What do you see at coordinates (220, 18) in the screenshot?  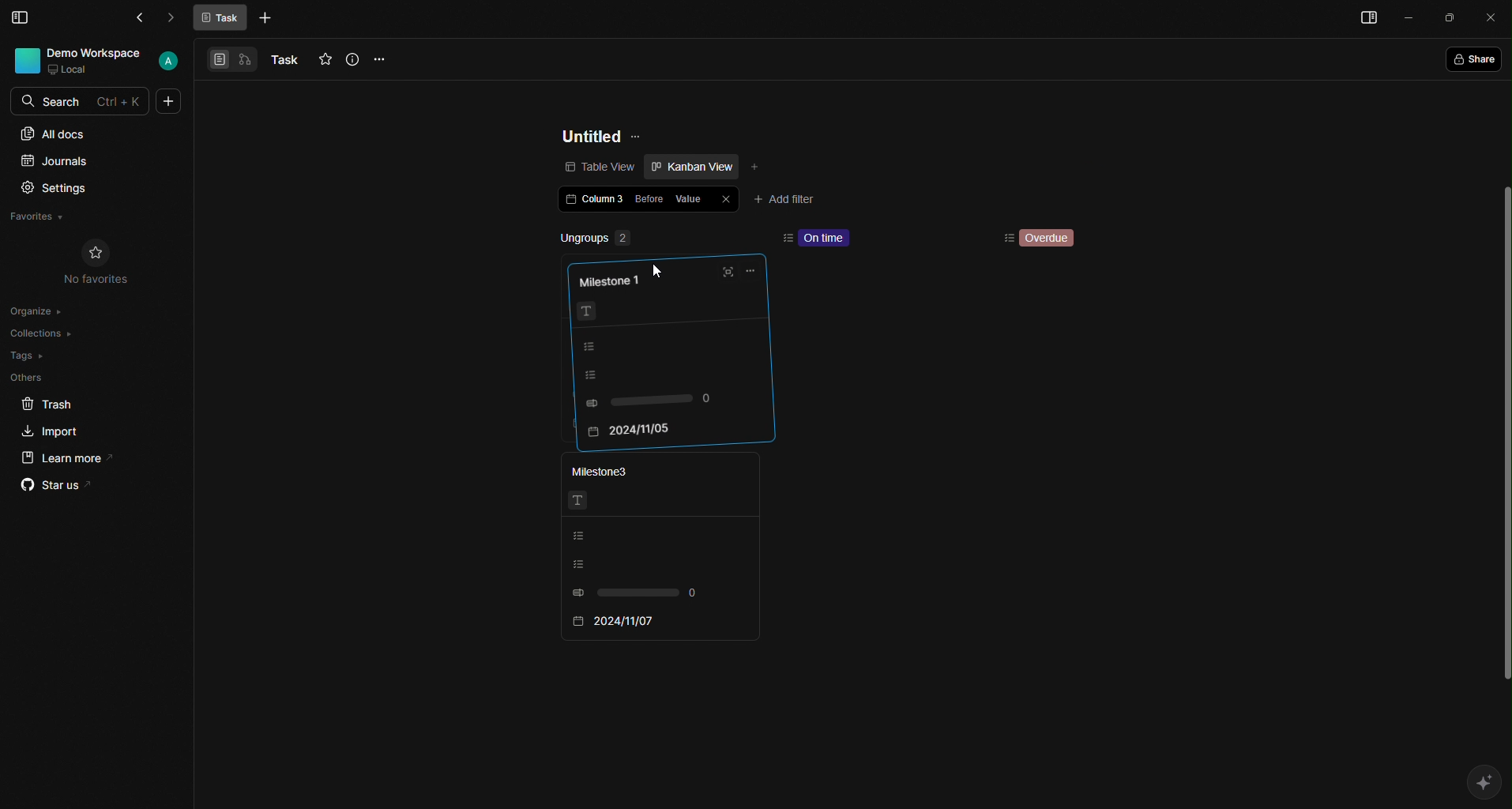 I see `Task` at bounding box center [220, 18].